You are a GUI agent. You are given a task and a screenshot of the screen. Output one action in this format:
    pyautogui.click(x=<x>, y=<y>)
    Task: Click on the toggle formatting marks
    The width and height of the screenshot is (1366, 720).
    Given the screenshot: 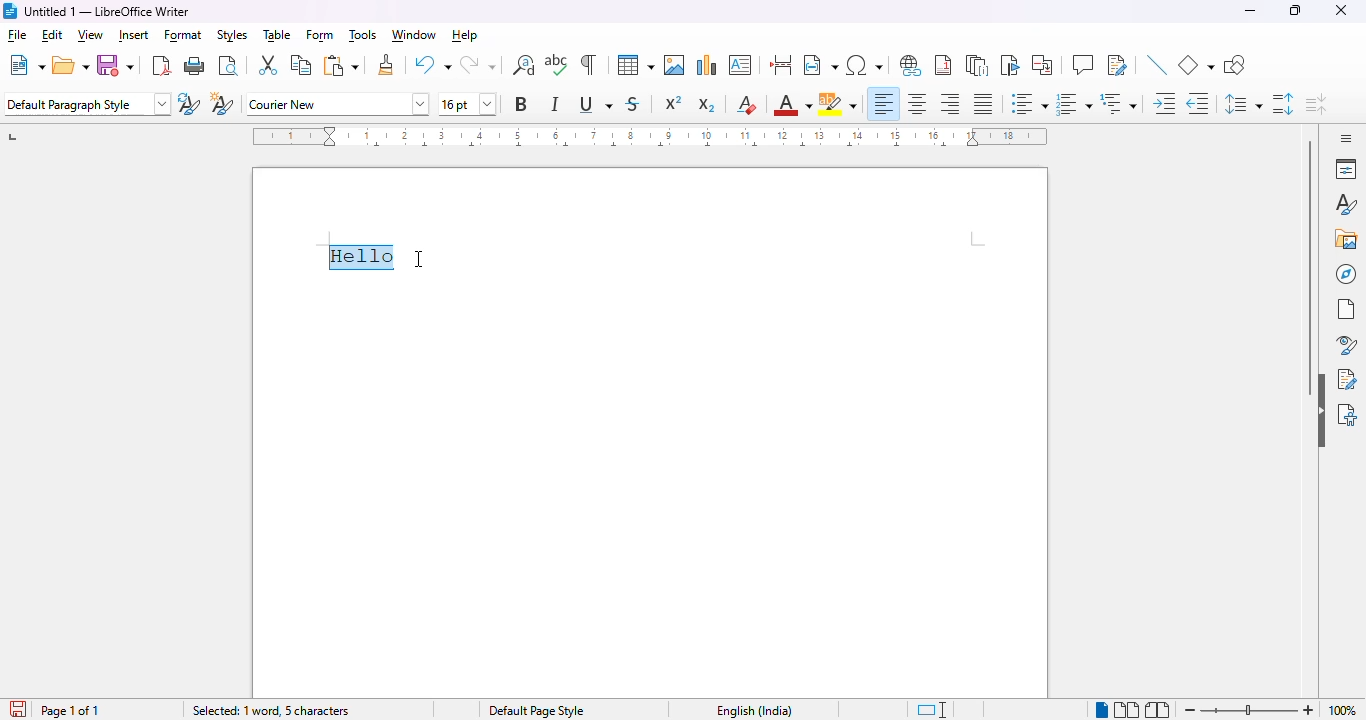 What is the action you would take?
    pyautogui.click(x=588, y=64)
    